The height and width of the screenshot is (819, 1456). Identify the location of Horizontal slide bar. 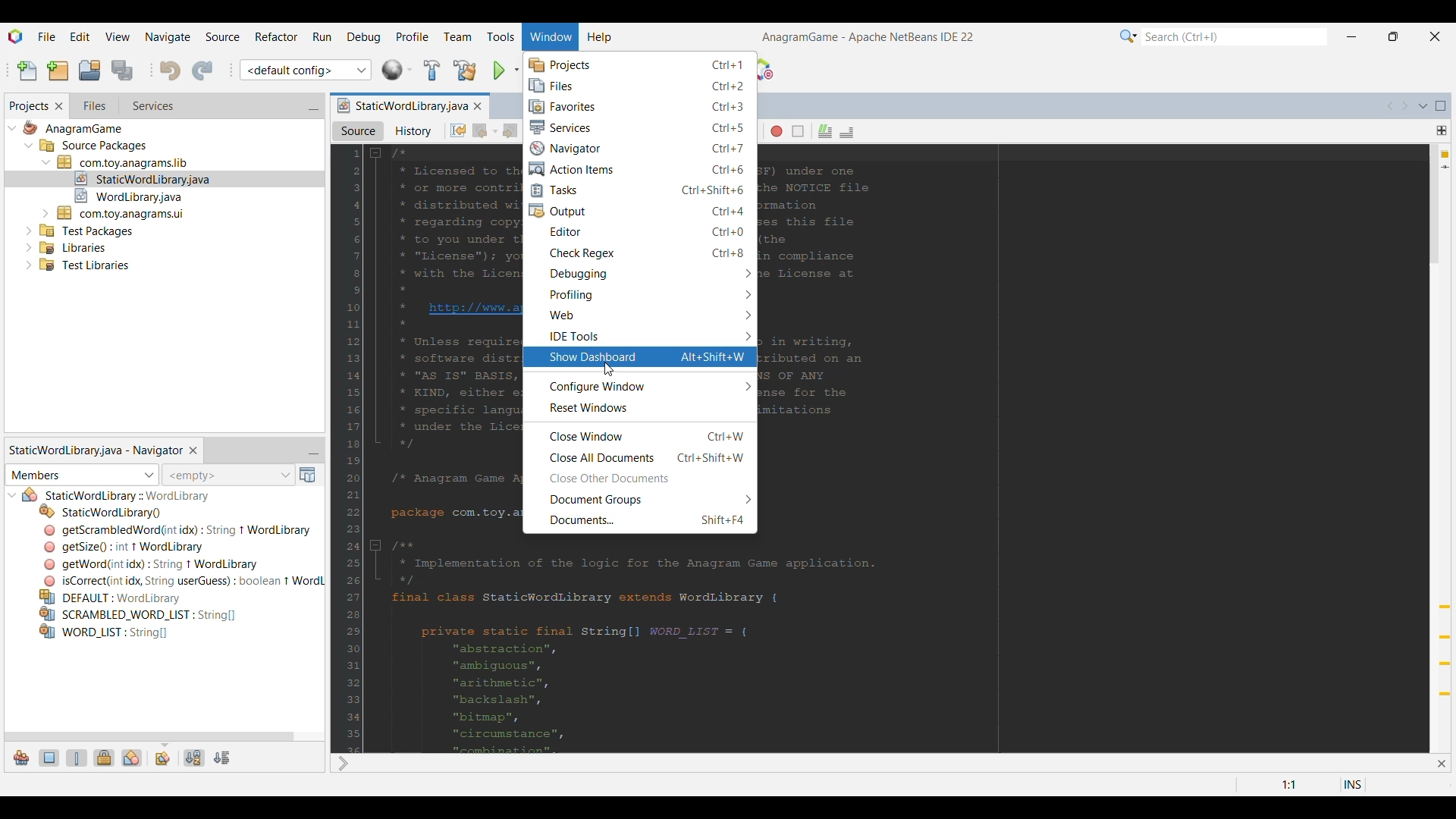
(149, 737).